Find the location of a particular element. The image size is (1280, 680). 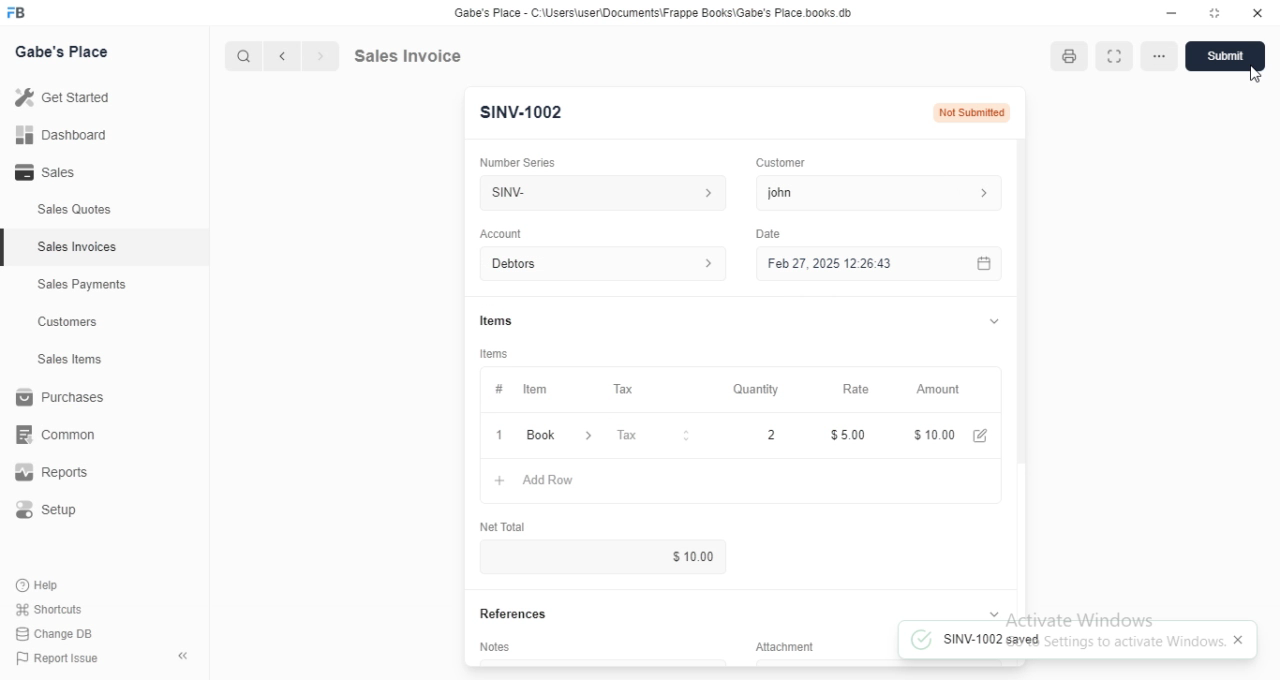

Close is located at coordinates (1257, 14).